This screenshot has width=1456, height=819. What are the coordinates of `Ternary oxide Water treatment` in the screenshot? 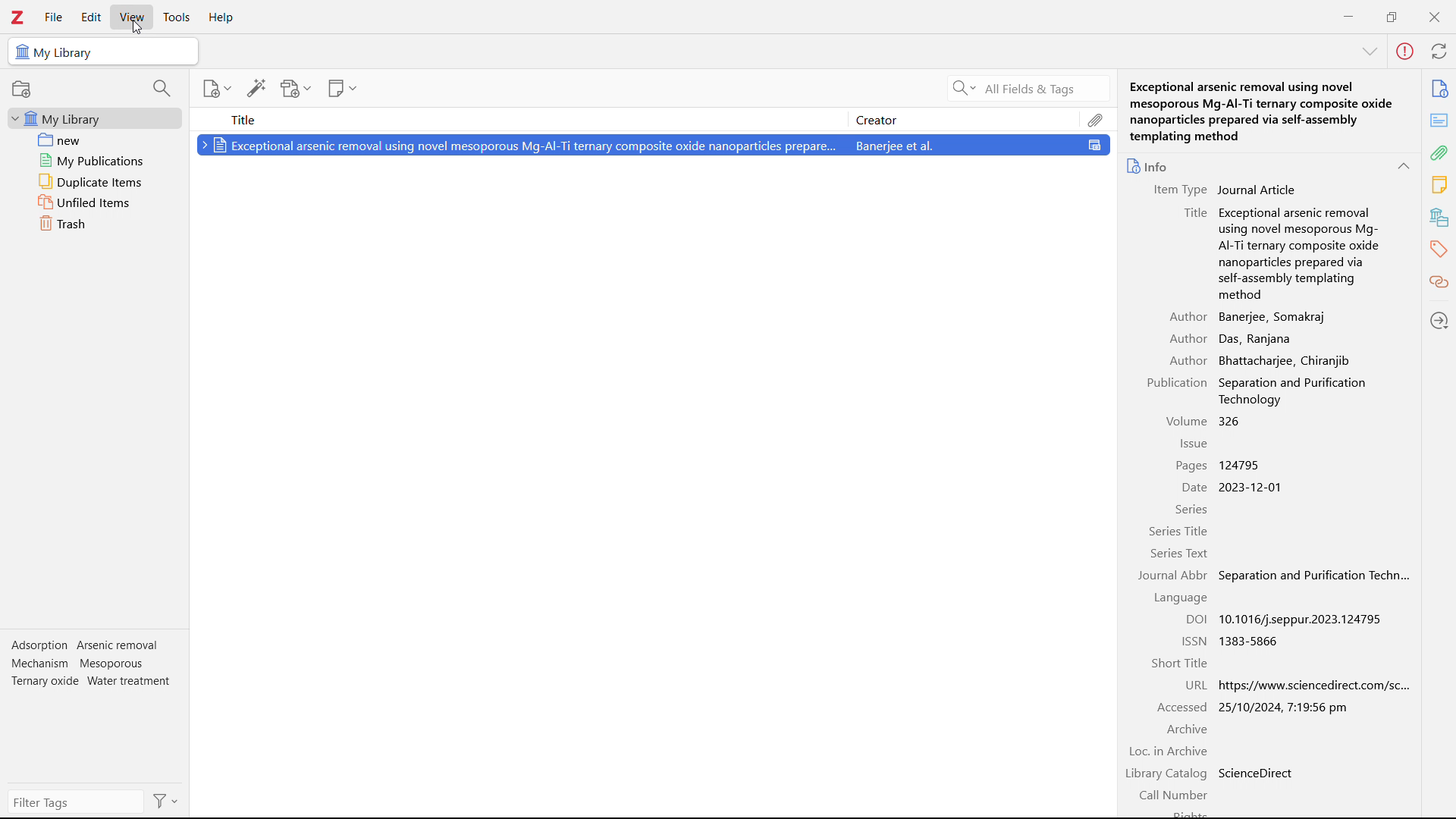 It's located at (92, 680).